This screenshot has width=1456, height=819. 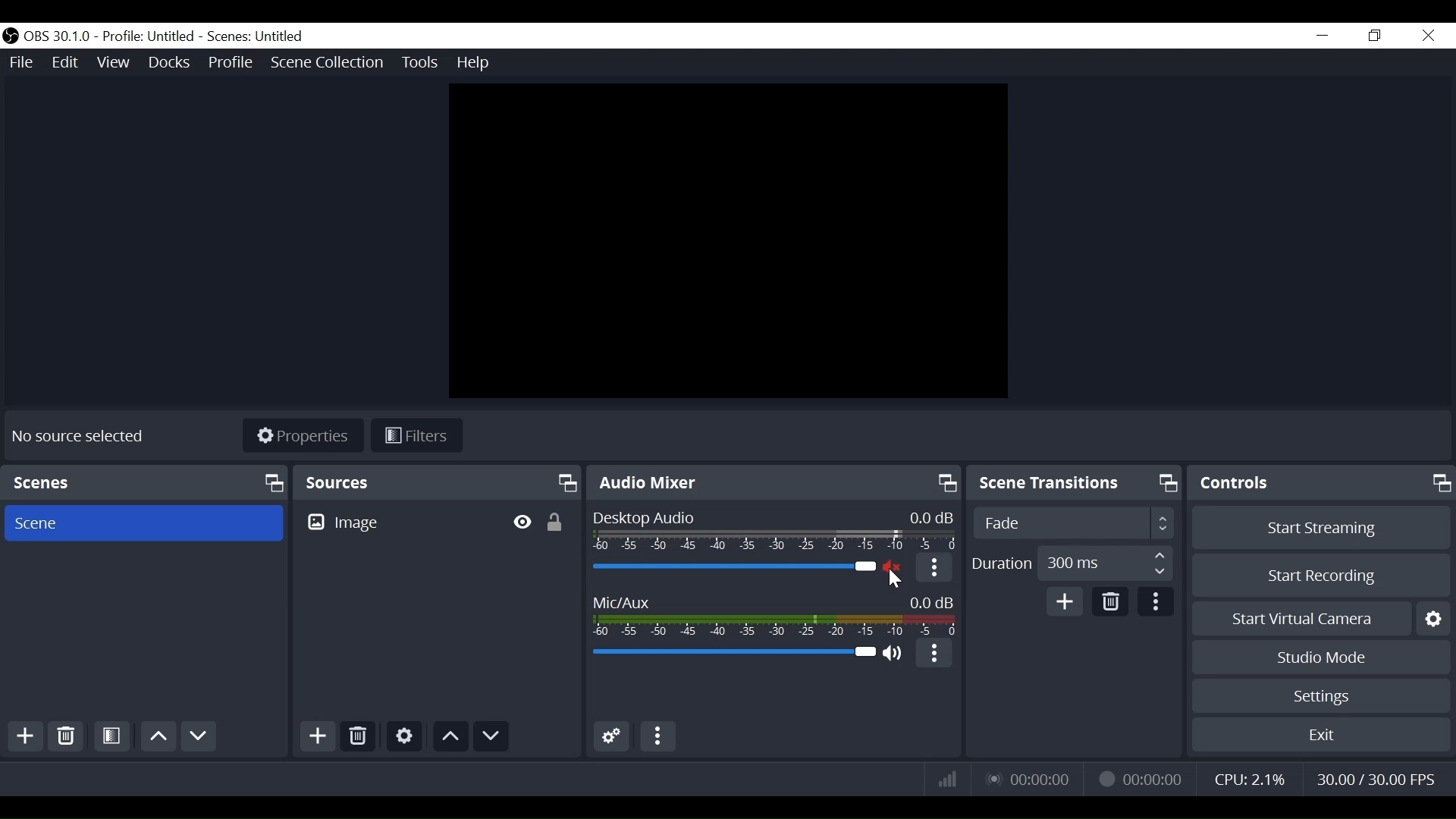 What do you see at coordinates (27, 736) in the screenshot?
I see `Add` at bounding box center [27, 736].